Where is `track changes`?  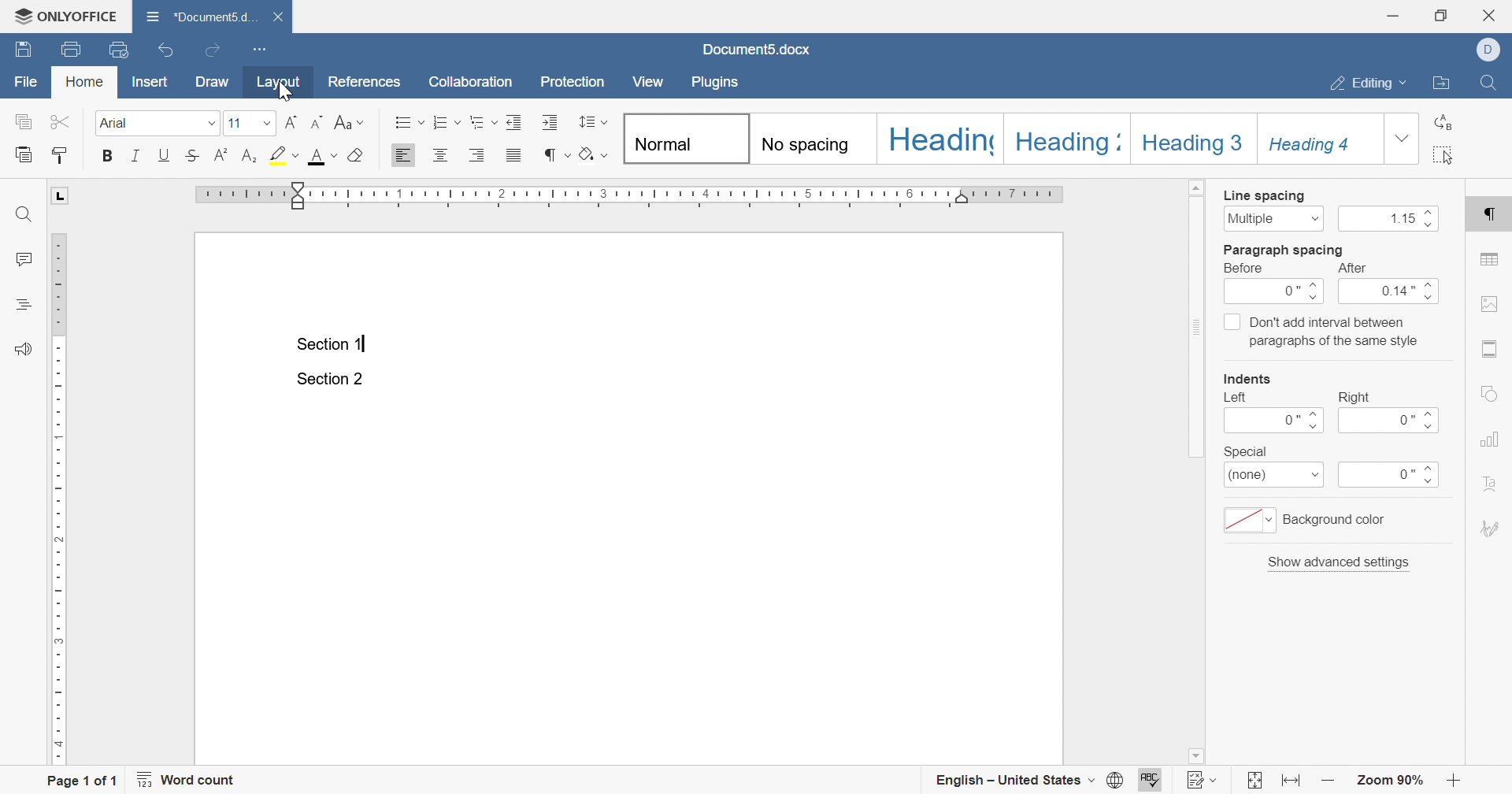 track changes is located at coordinates (1203, 779).